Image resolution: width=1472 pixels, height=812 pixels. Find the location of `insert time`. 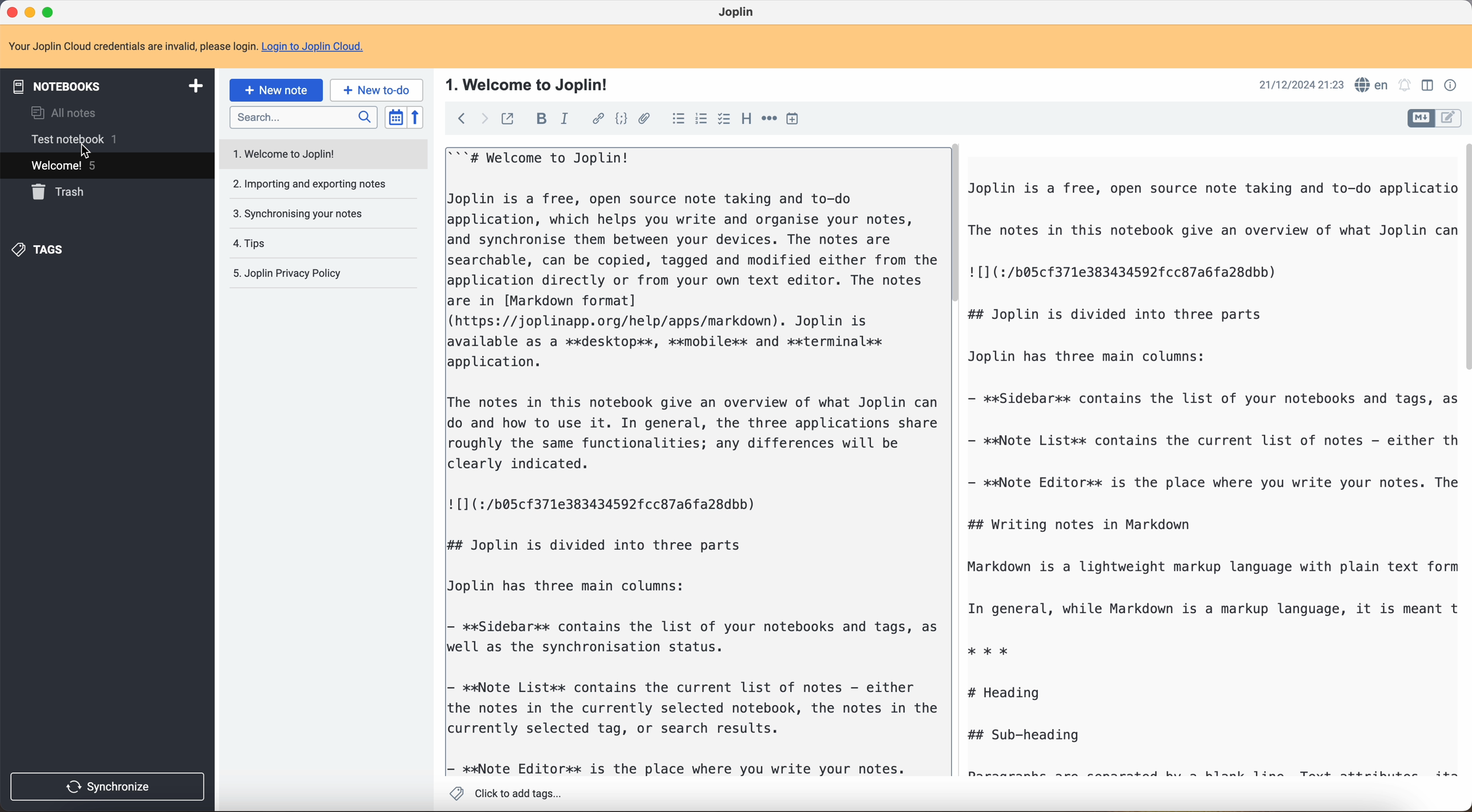

insert time is located at coordinates (795, 119).